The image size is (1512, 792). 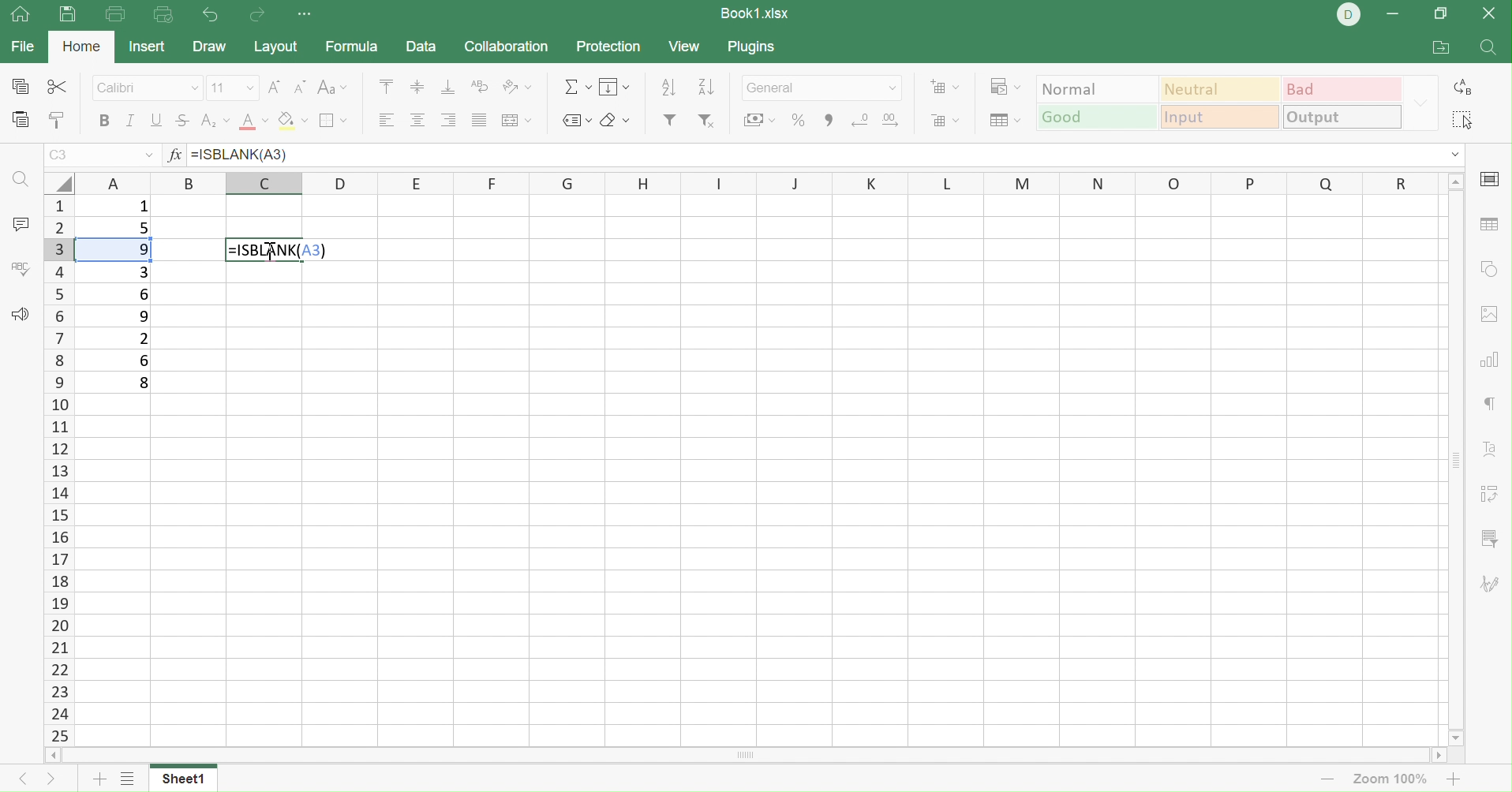 What do you see at coordinates (1456, 155) in the screenshot?
I see `Drop down` at bounding box center [1456, 155].